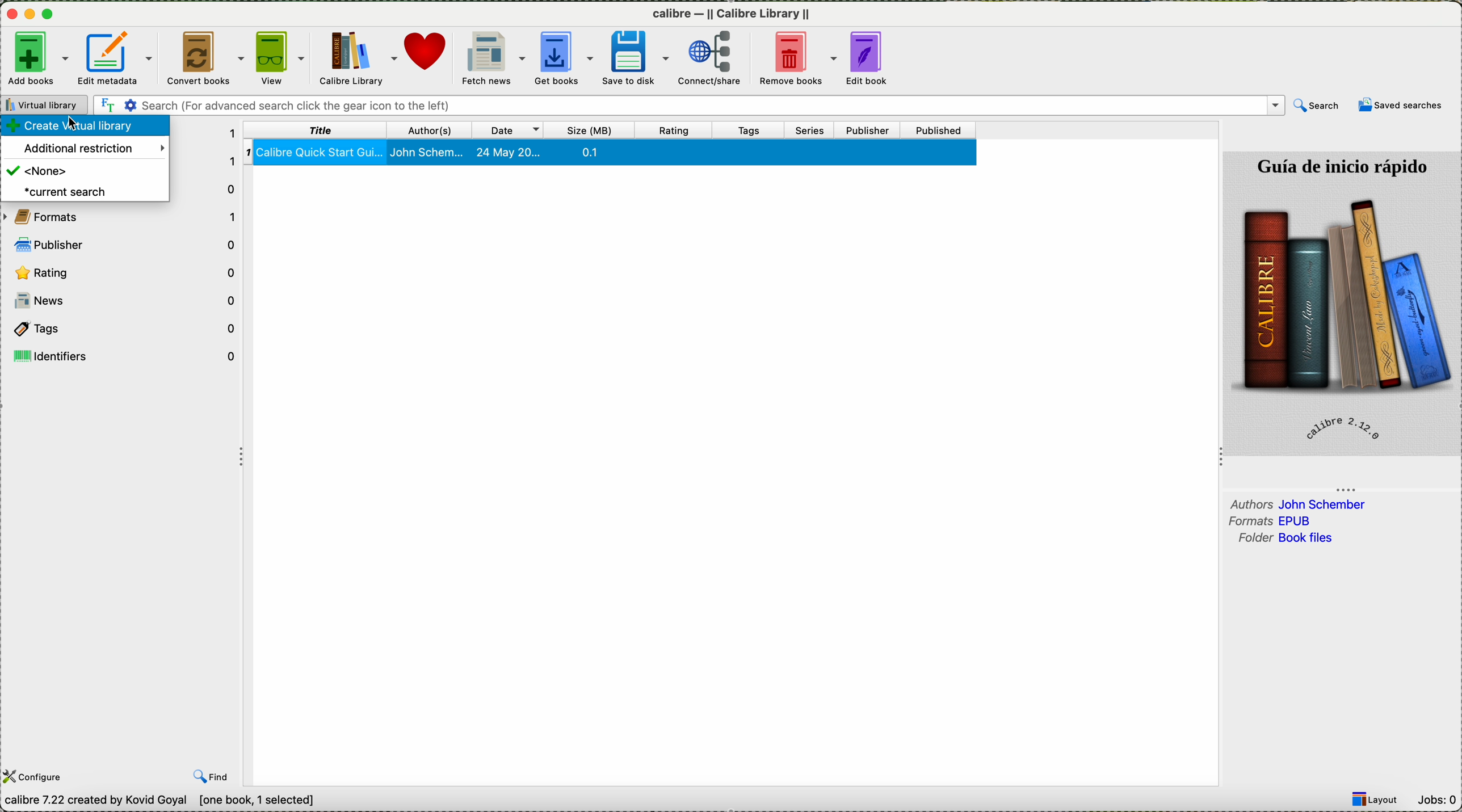  What do you see at coordinates (640, 57) in the screenshot?
I see `save to disk` at bounding box center [640, 57].